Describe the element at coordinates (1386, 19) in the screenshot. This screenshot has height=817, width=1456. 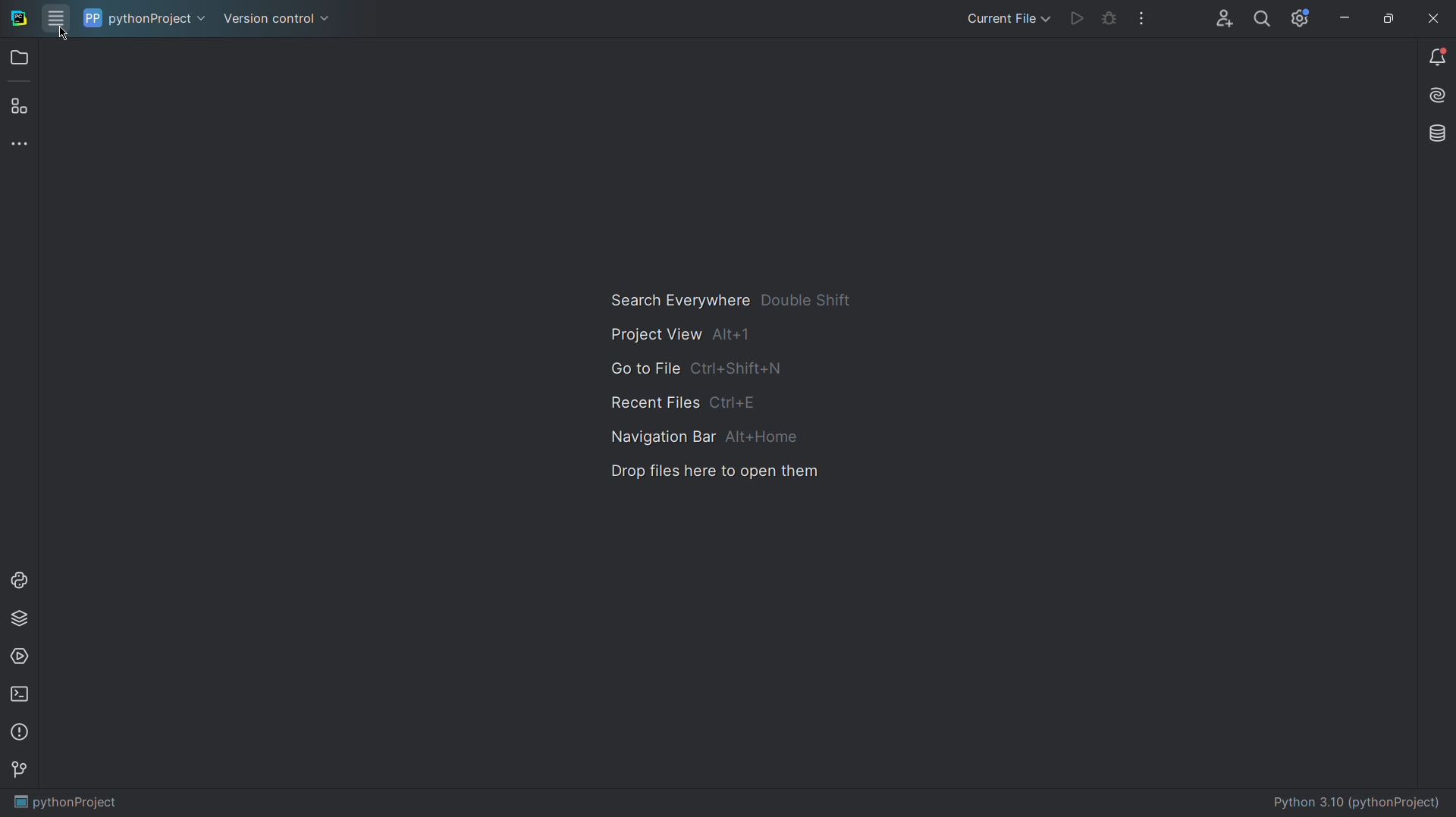
I see `Maximize` at that location.